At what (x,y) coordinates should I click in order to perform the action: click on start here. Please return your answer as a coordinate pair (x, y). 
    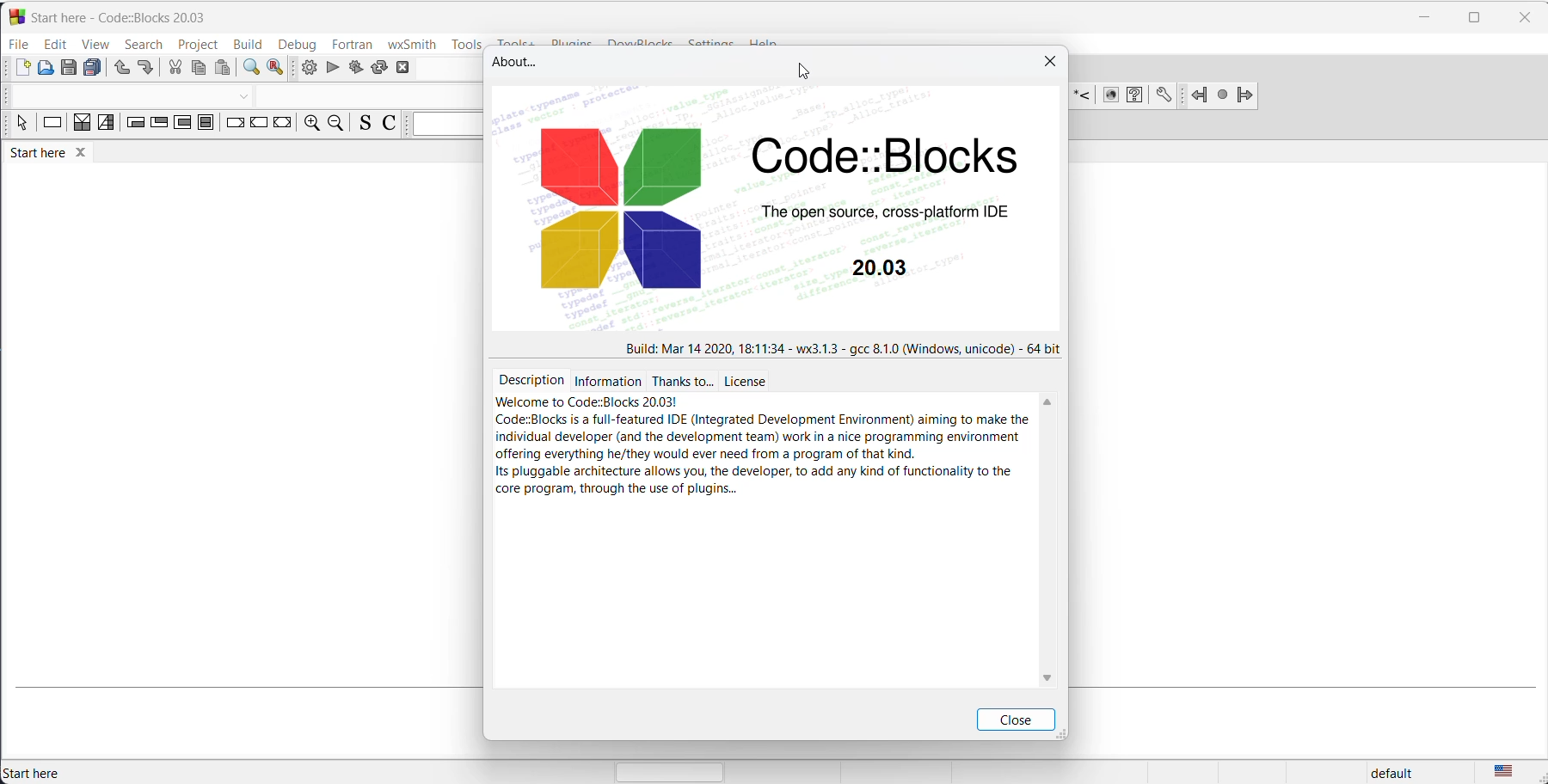
    Looking at the image, I should click on (36, 773).